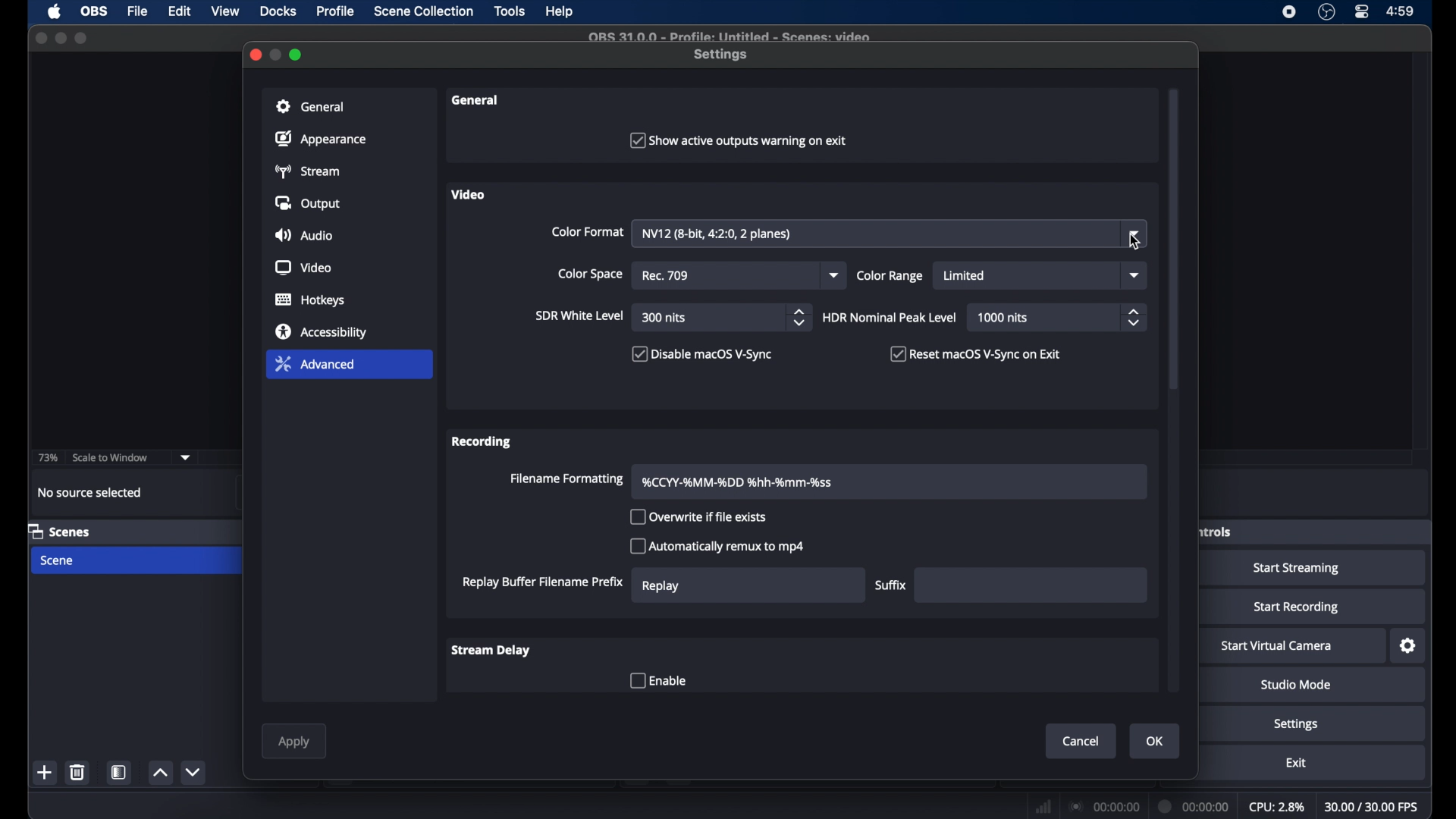 The width and height of the screenshot is (1456, 819). Describe the element at coordinates (58, 560) in the screenshot. I see `scene` at that location.